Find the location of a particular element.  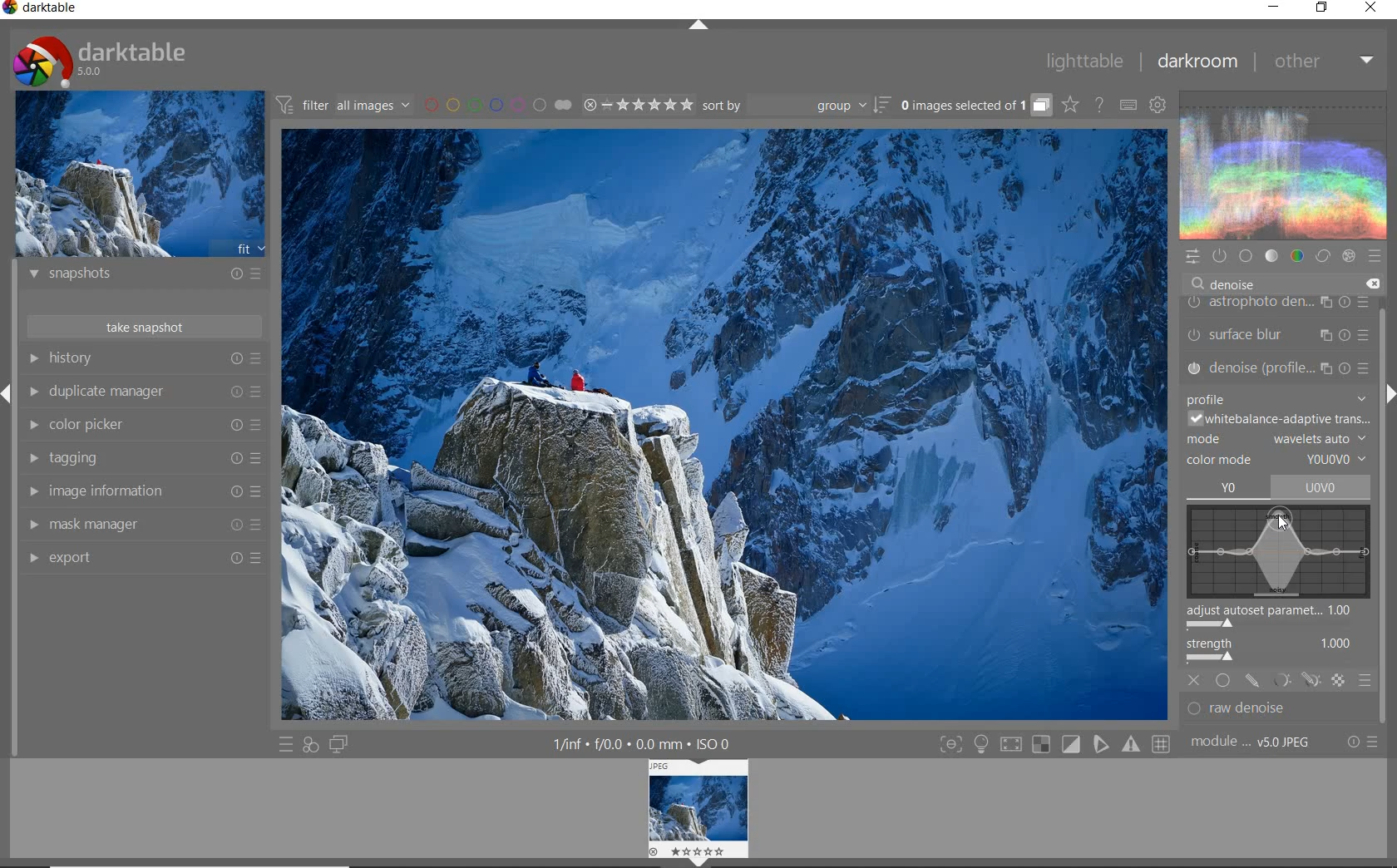

expand/collapse is located at coordinates (697, 26).